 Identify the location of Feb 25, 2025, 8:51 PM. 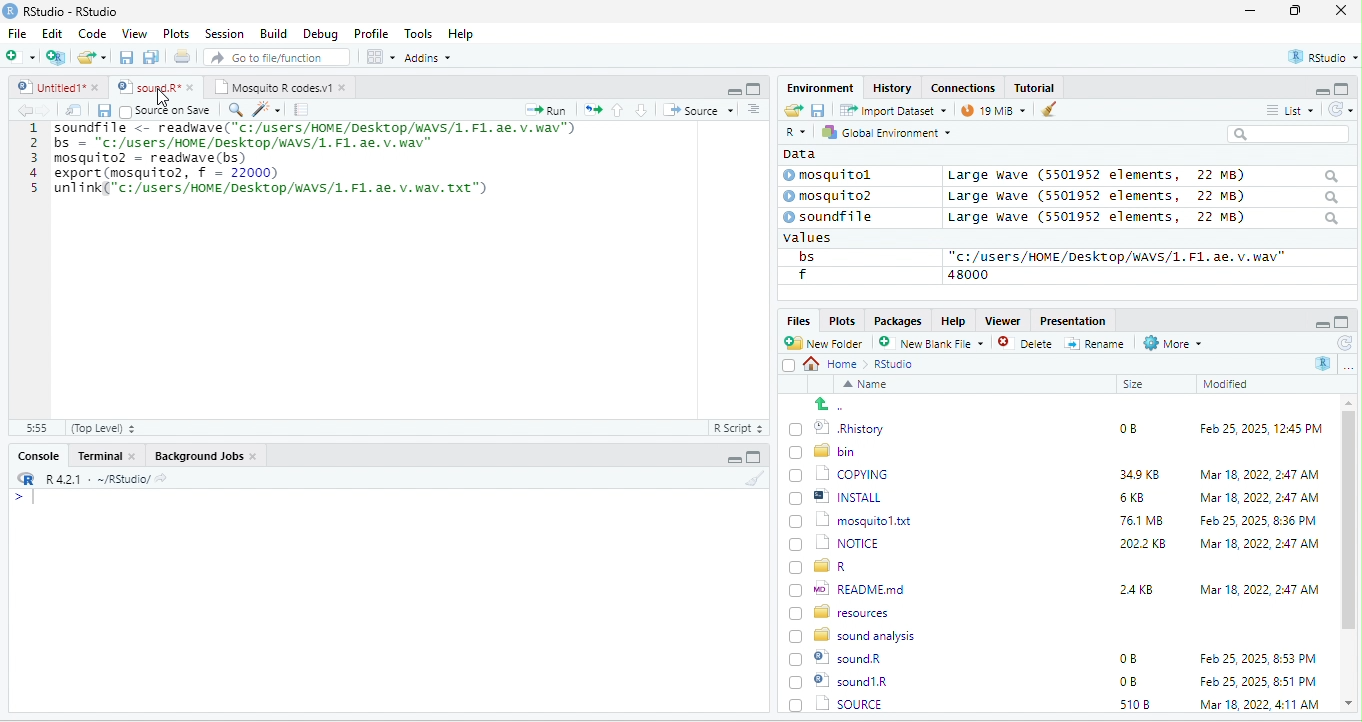
(1259, 659).